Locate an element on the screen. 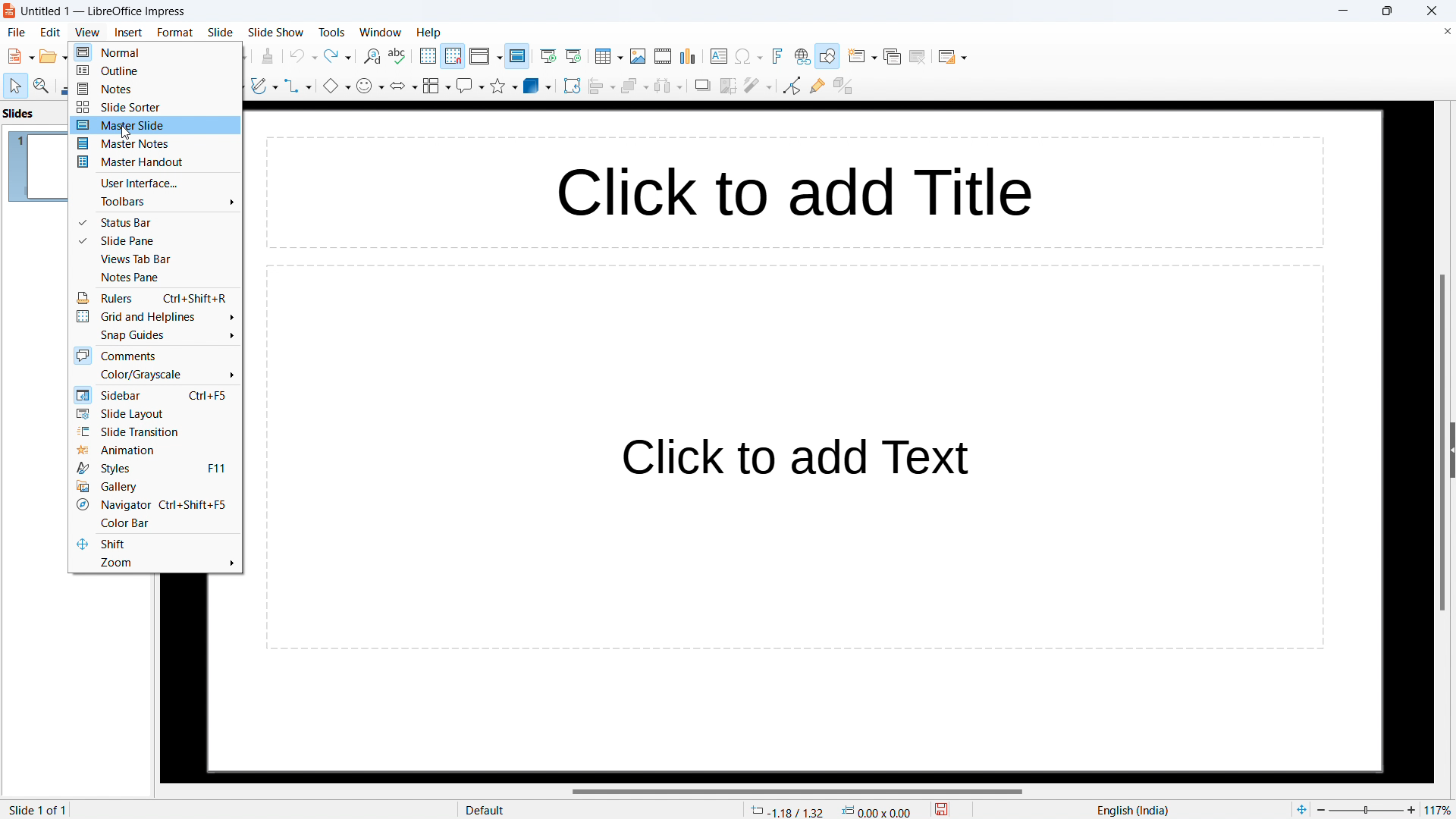  insert is located at coordinates (129, 32).